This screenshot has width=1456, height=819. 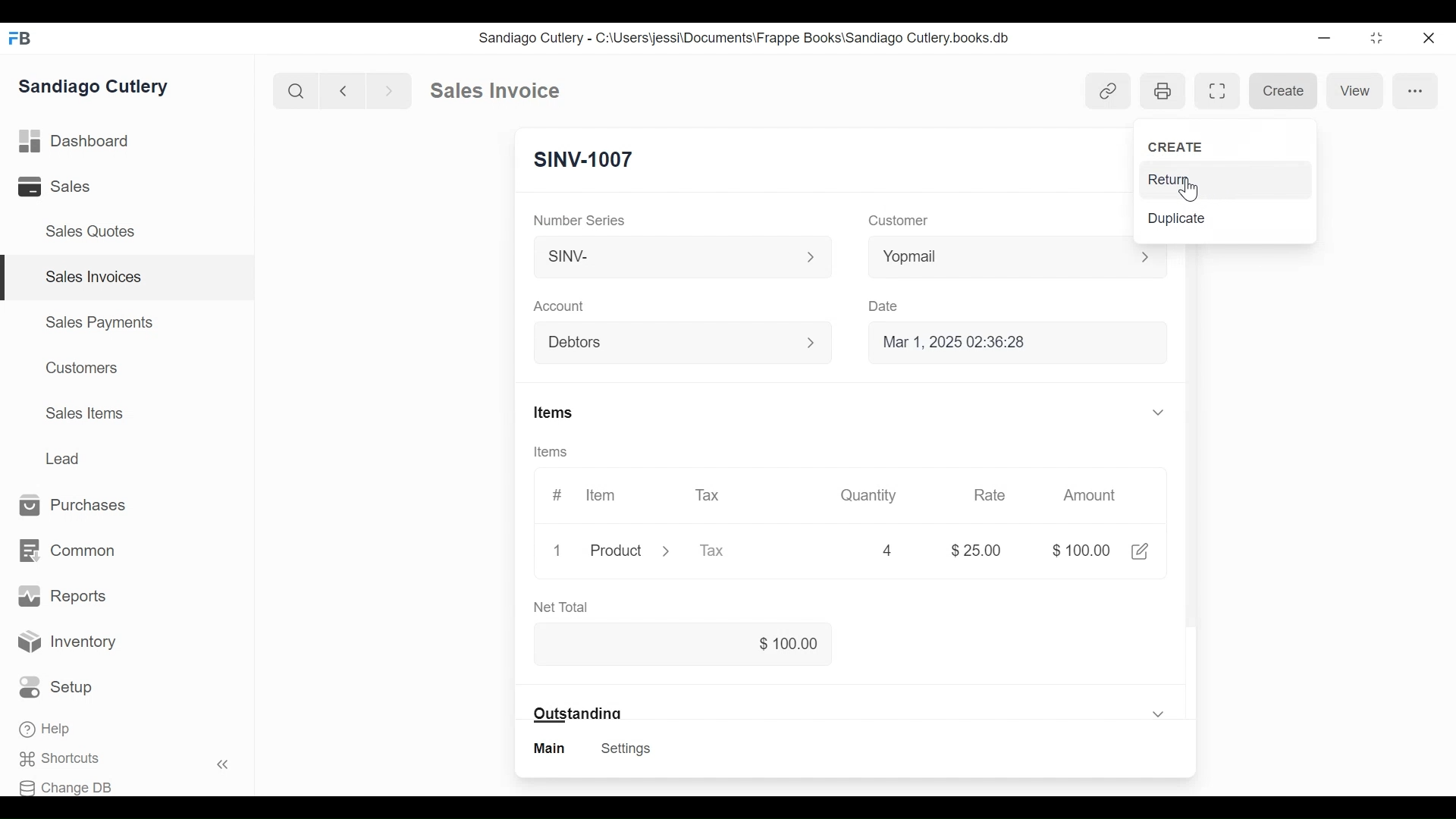 What do you see at coordinates (585, 158) in the screenshot?
I see `SINV-1007` at bounding box center [585, 158].